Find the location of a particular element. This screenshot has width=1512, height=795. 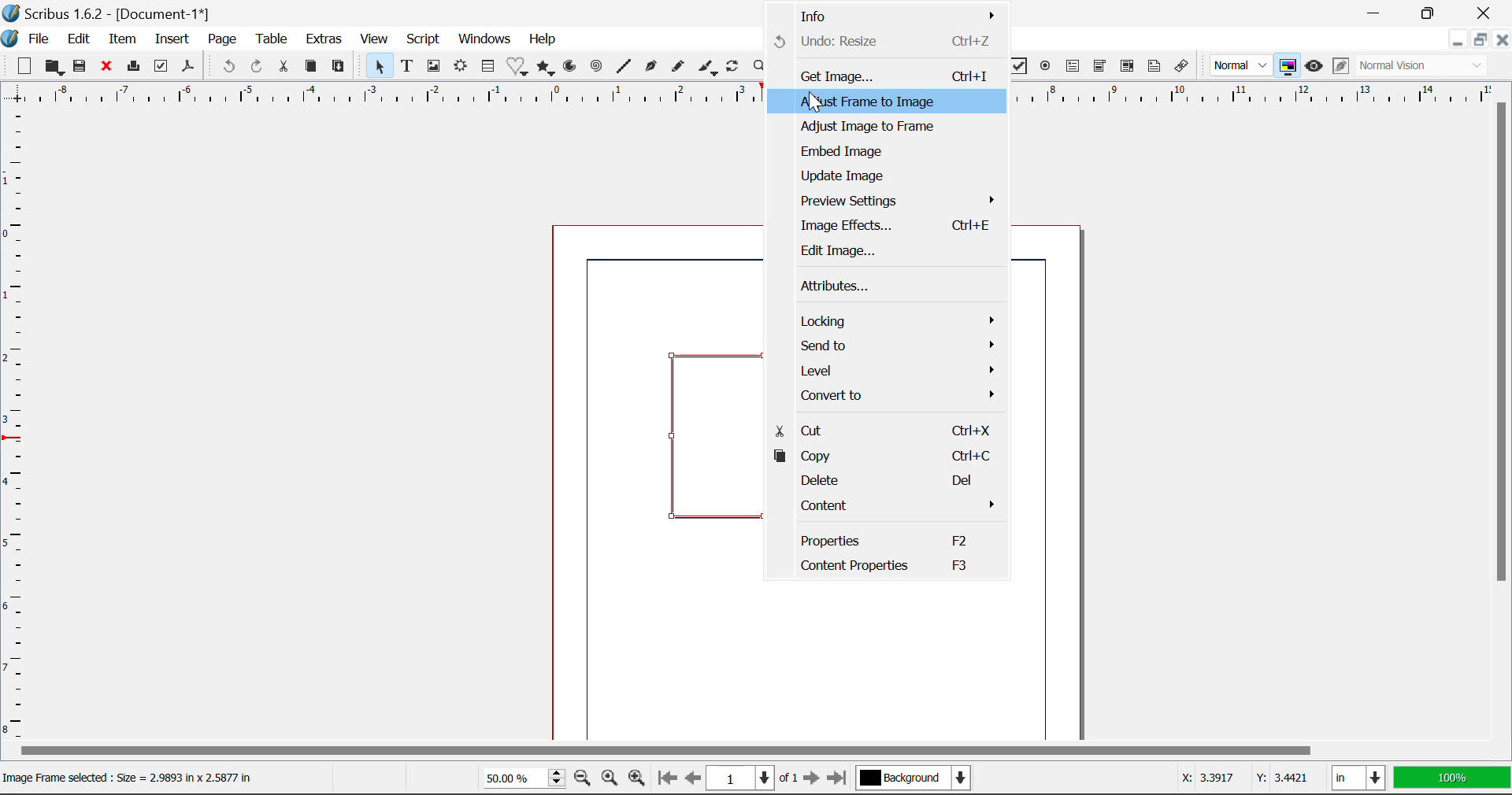

Windows is located at coordinates (486, 38).